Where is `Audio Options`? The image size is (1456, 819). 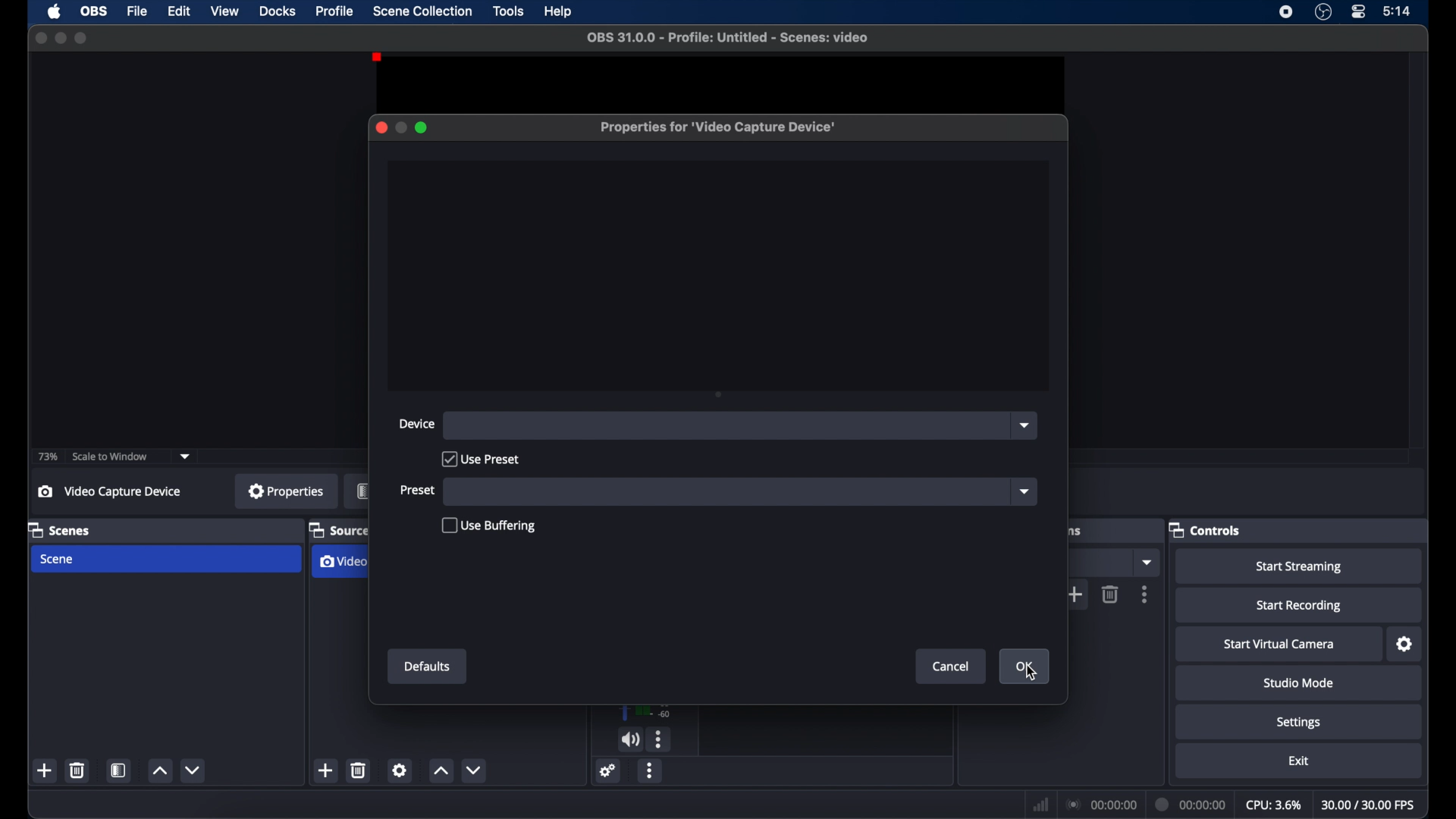
Audio Options is located at coordinates (661, 740).